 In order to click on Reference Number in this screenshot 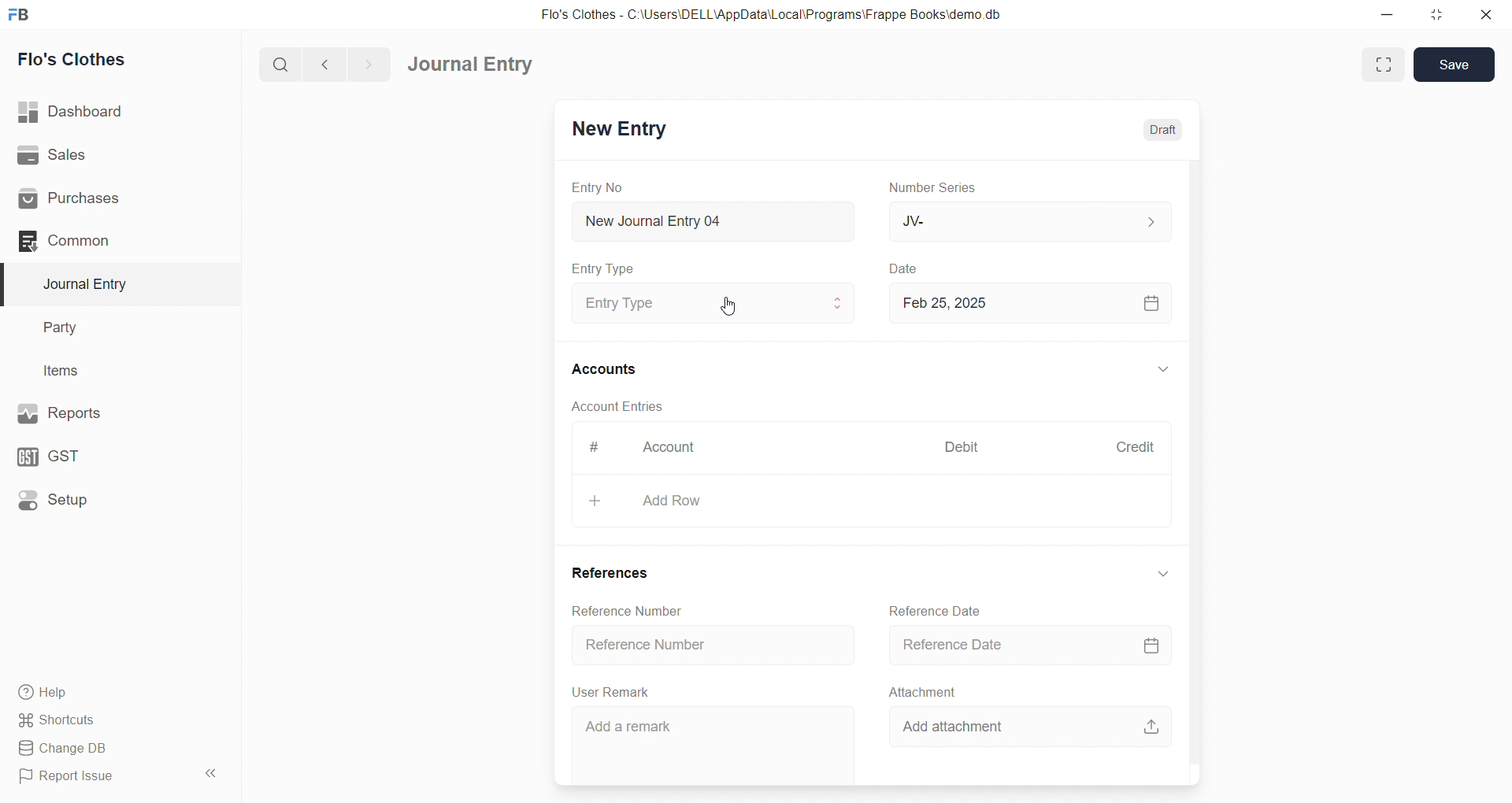, I will do `click(715, 643)`.